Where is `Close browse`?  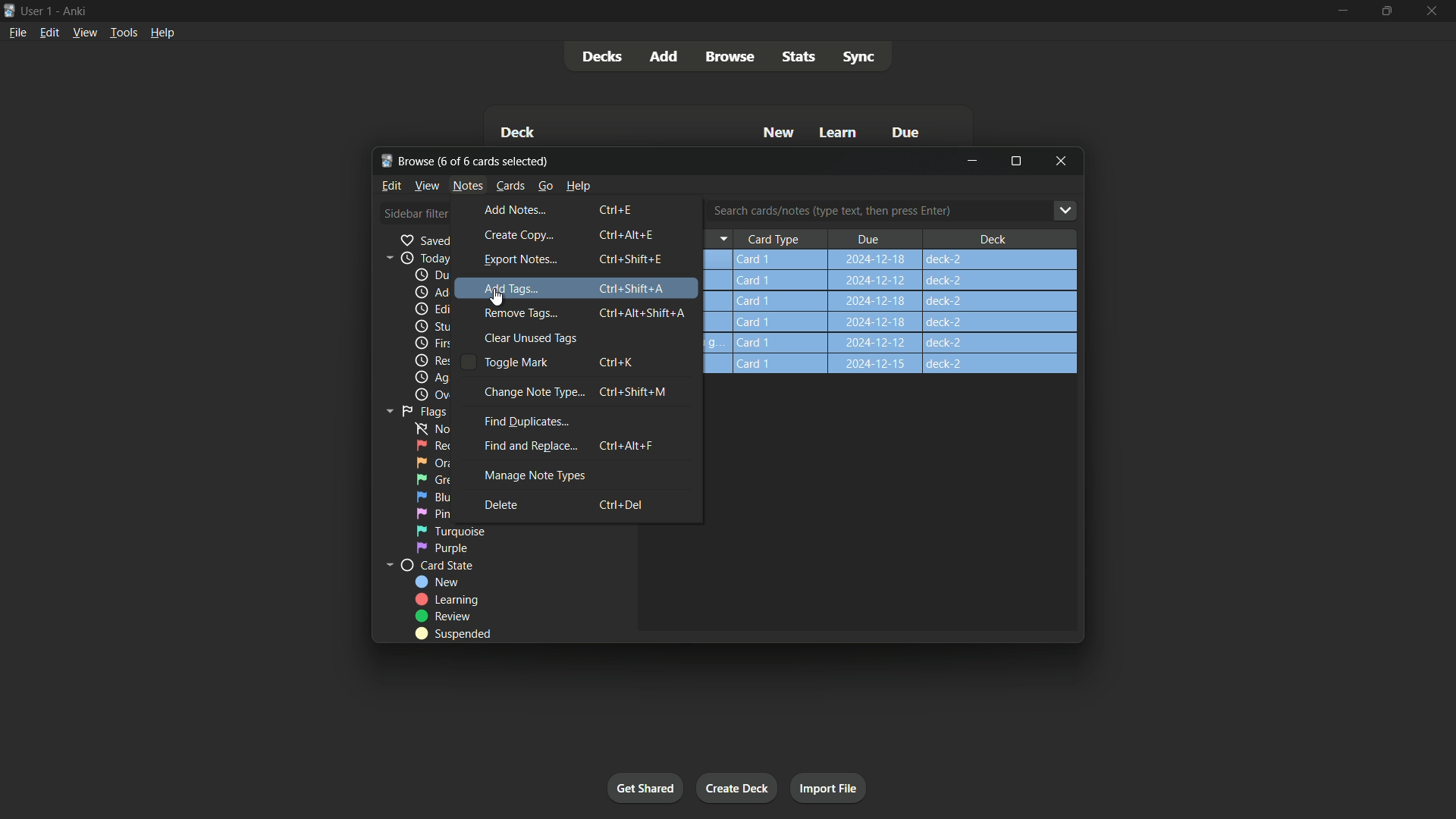
Close browse is located at coordinates (1062, 162).